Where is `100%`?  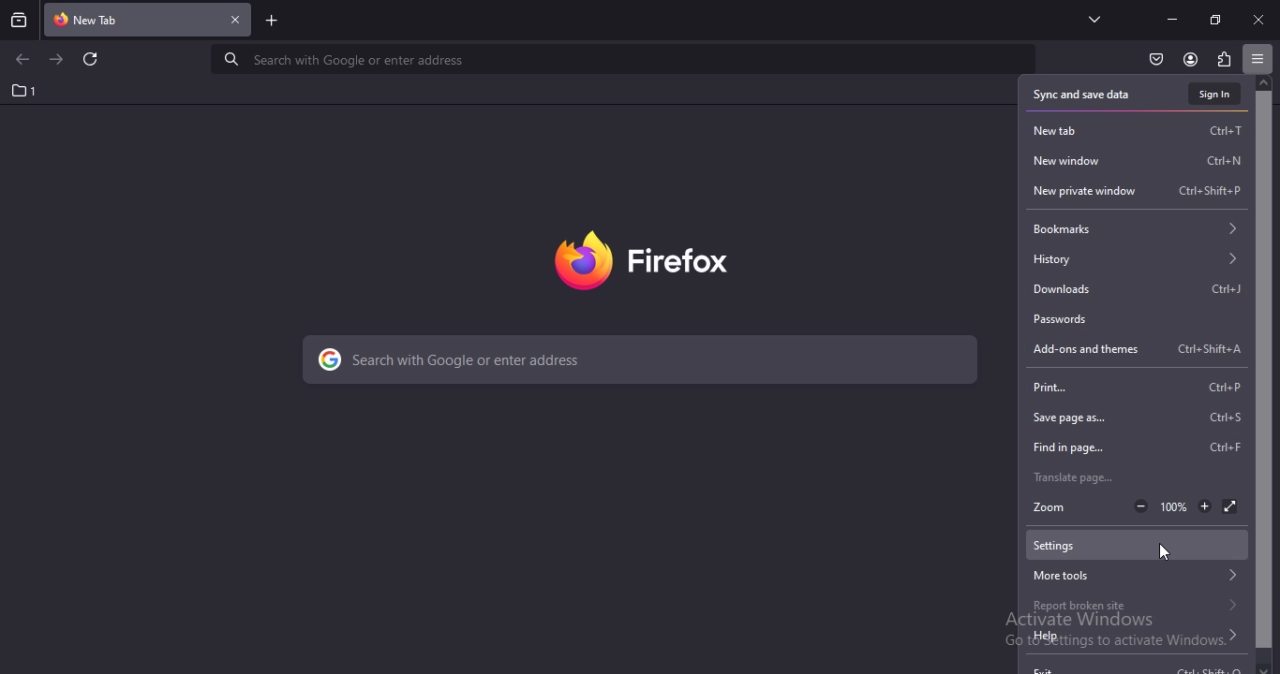
100% is located at coordinates (1173, 504).